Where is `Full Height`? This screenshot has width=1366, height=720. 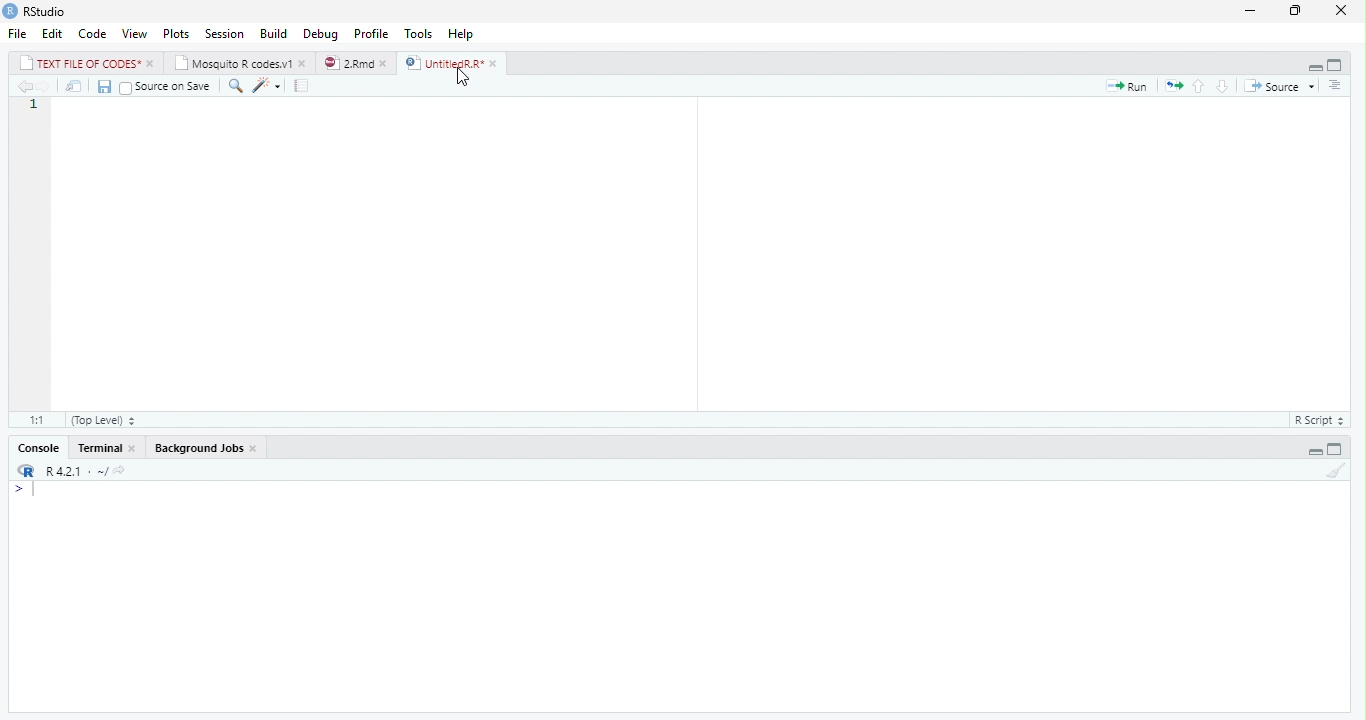 Full Height is located at coordinates (1338, 64).